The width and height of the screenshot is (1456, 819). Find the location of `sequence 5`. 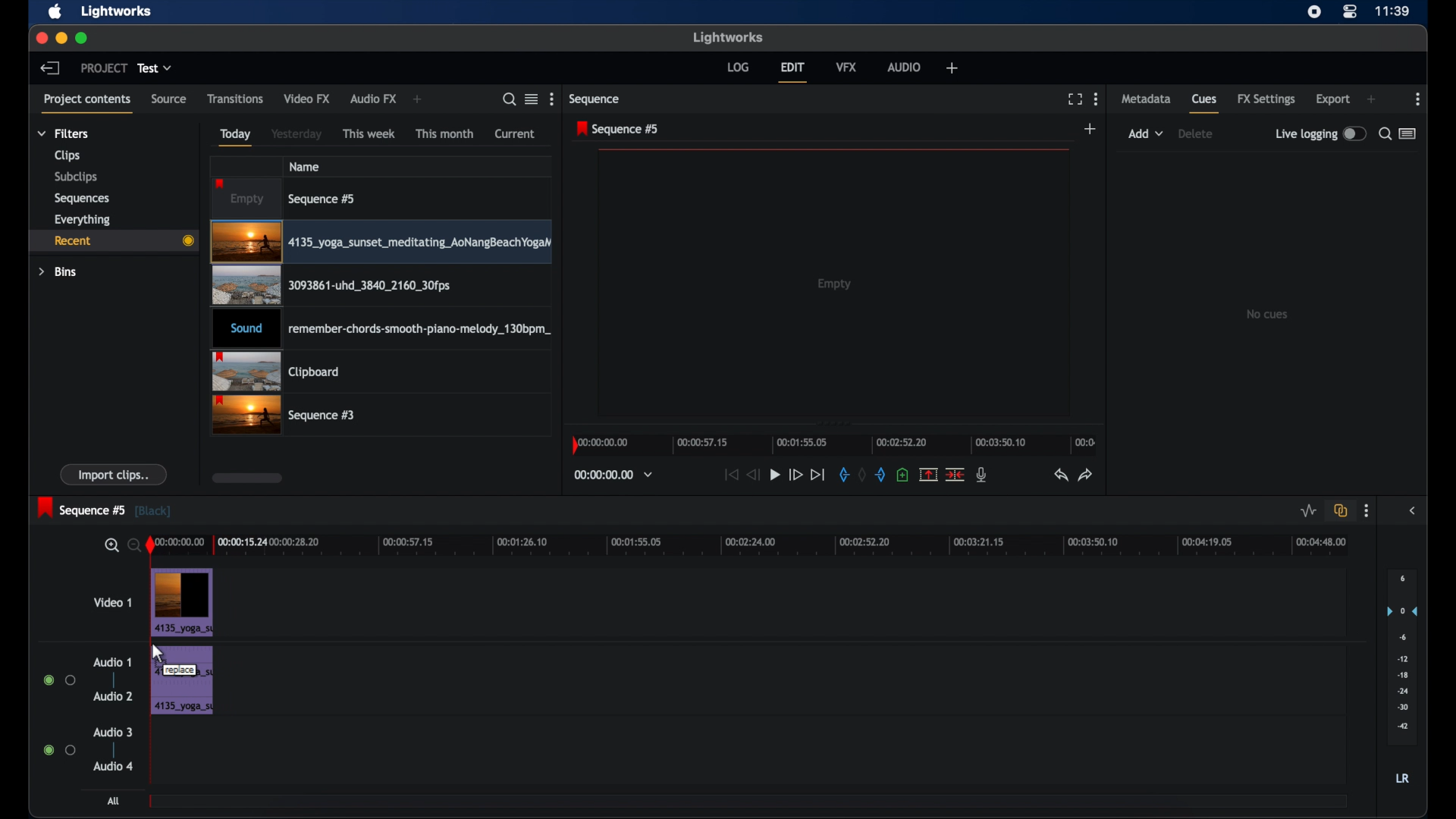

sequence 5 is located at coordinates (287, 199).